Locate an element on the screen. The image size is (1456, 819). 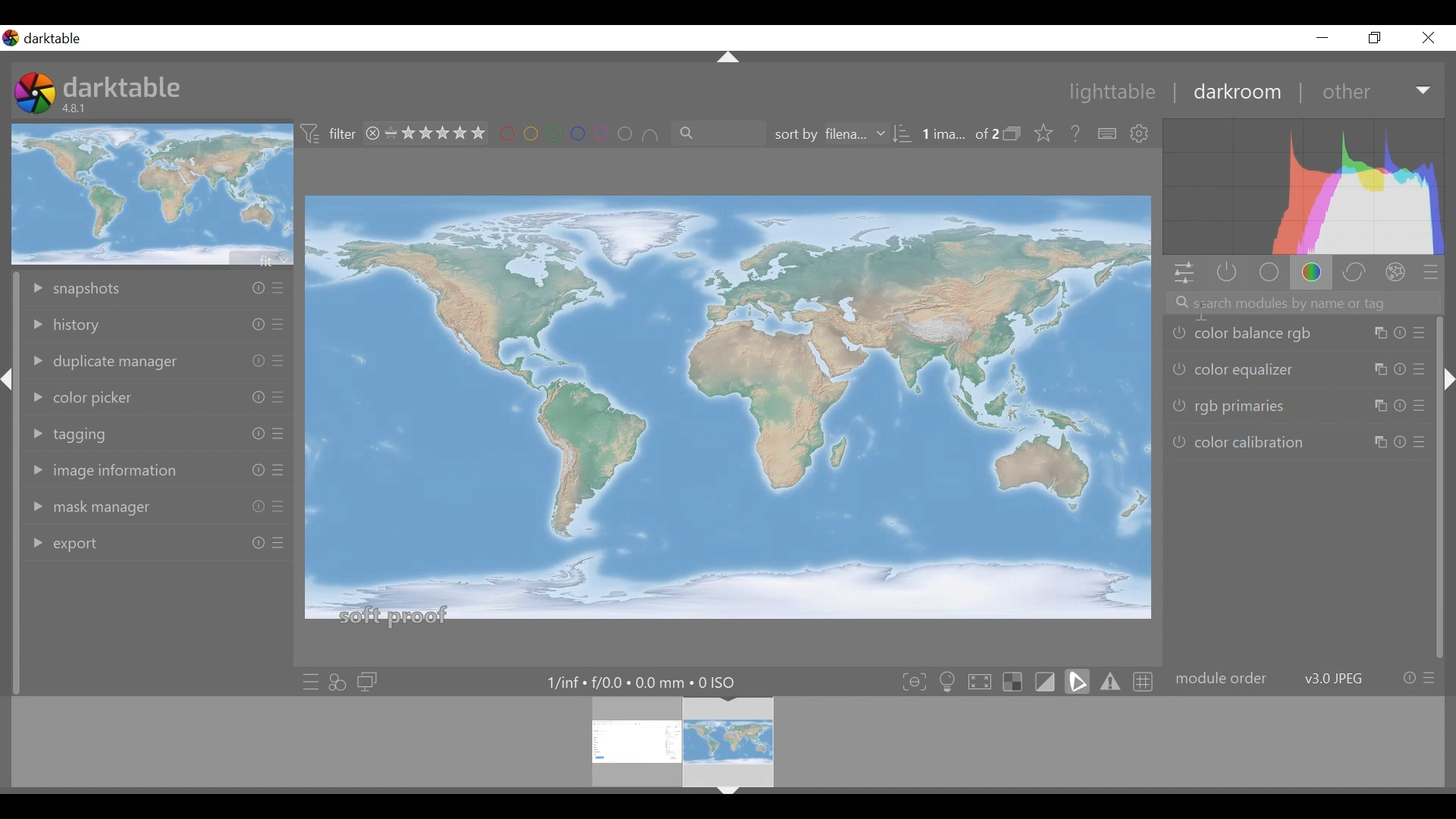
 is located at coordinates (253, 544).